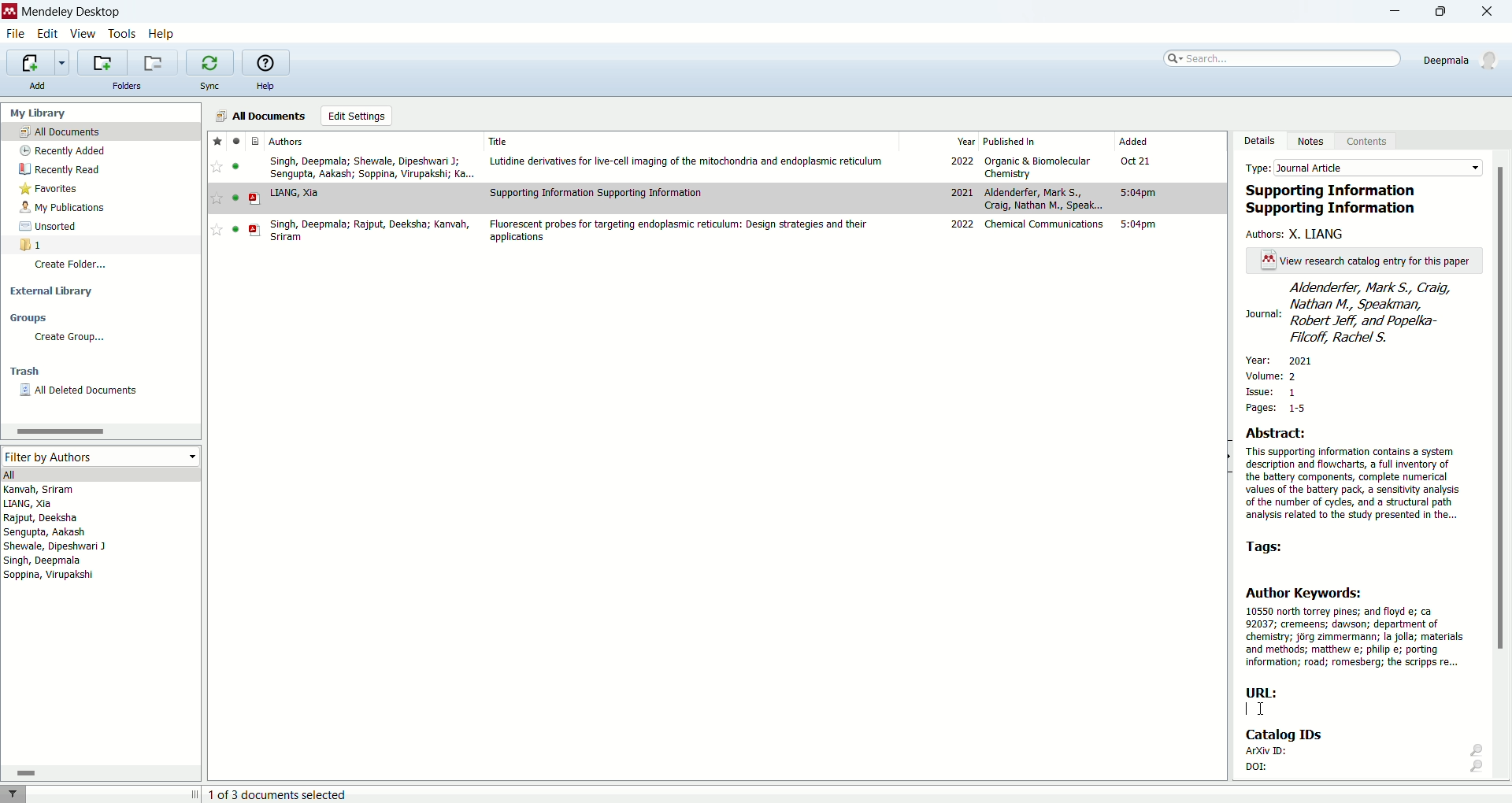 The image size is (1512, 803). I want to click on search, so click(1284, 58).